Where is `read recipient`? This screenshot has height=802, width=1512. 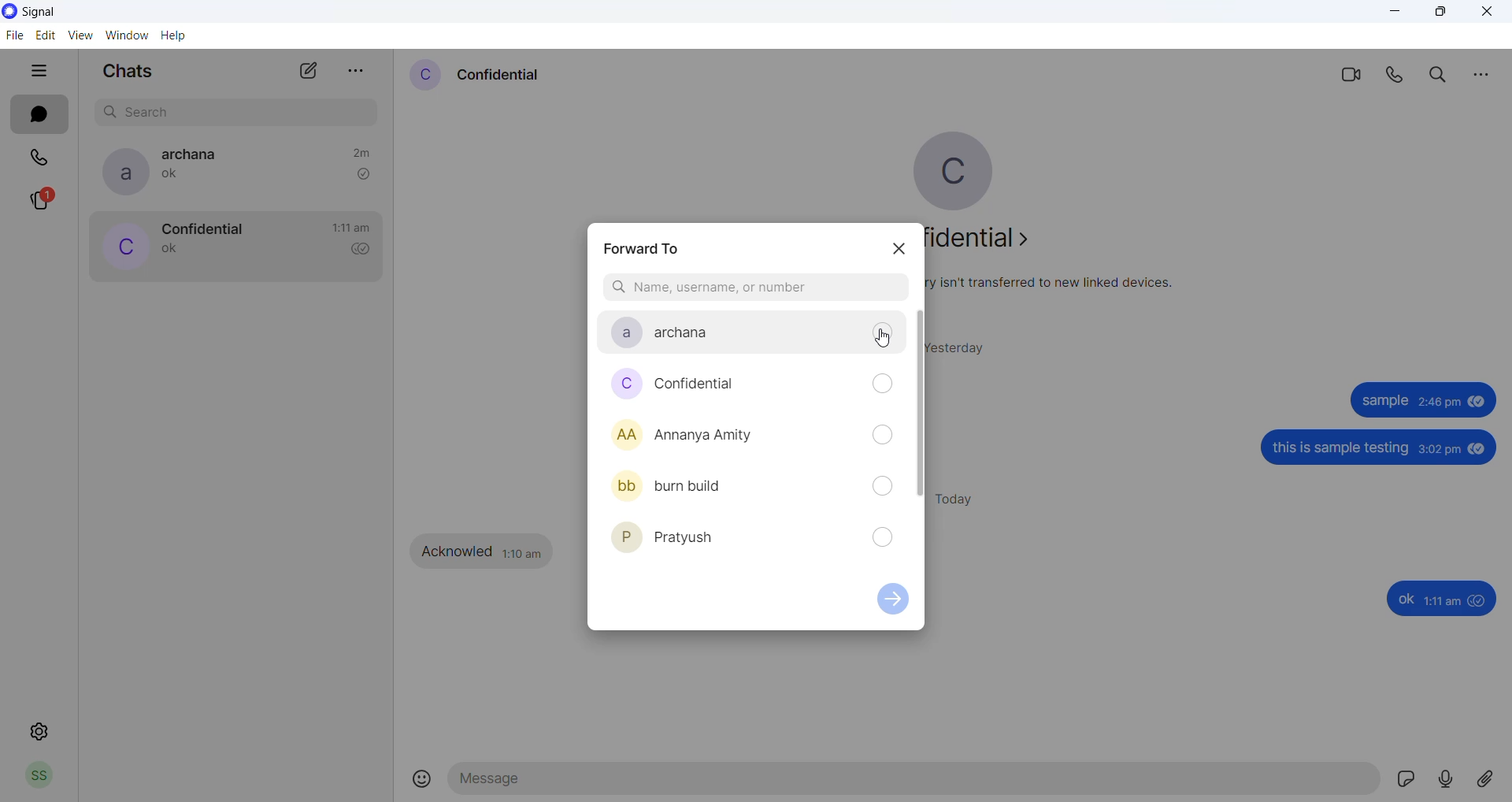
read recipient is located at coordinates (363, 174).